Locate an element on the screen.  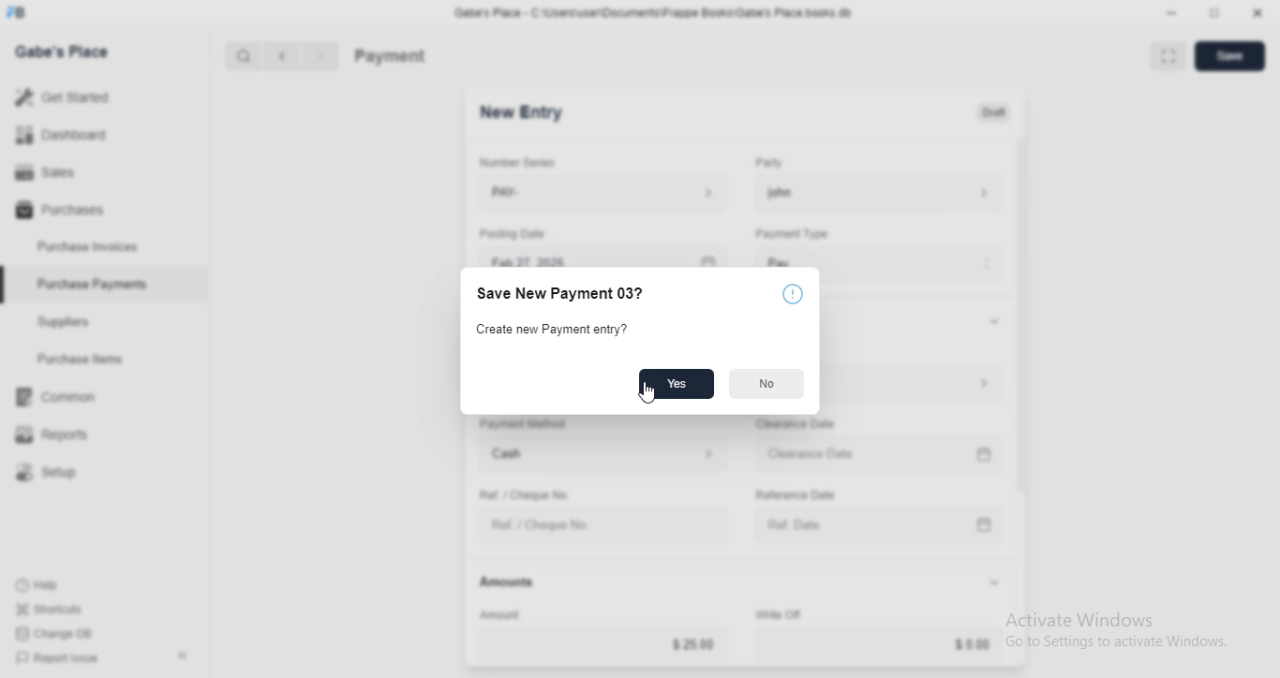
Yes is located at coordinates (680, 383).